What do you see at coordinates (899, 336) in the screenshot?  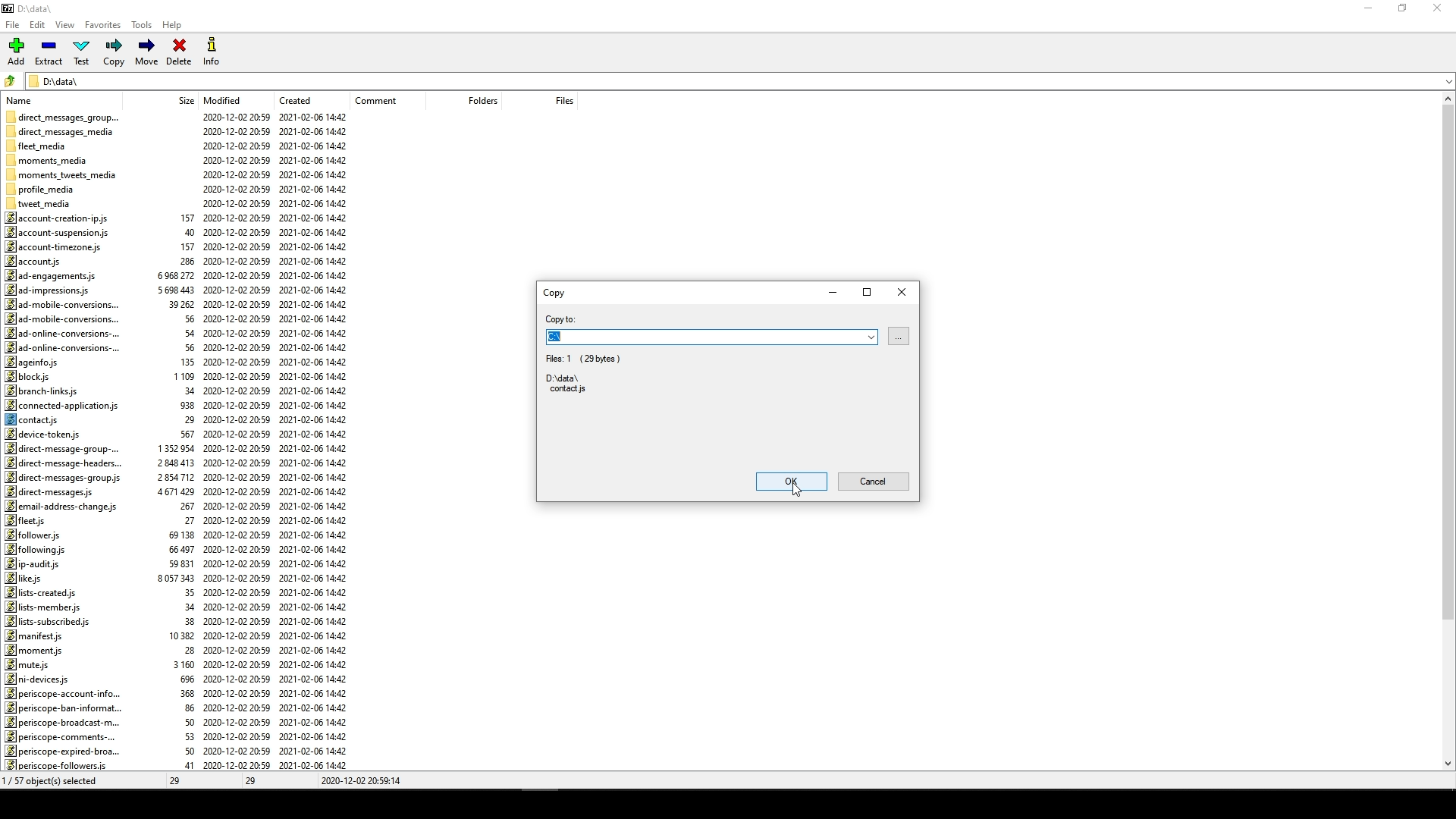 I see `browse` at bounding box center [899, 336].